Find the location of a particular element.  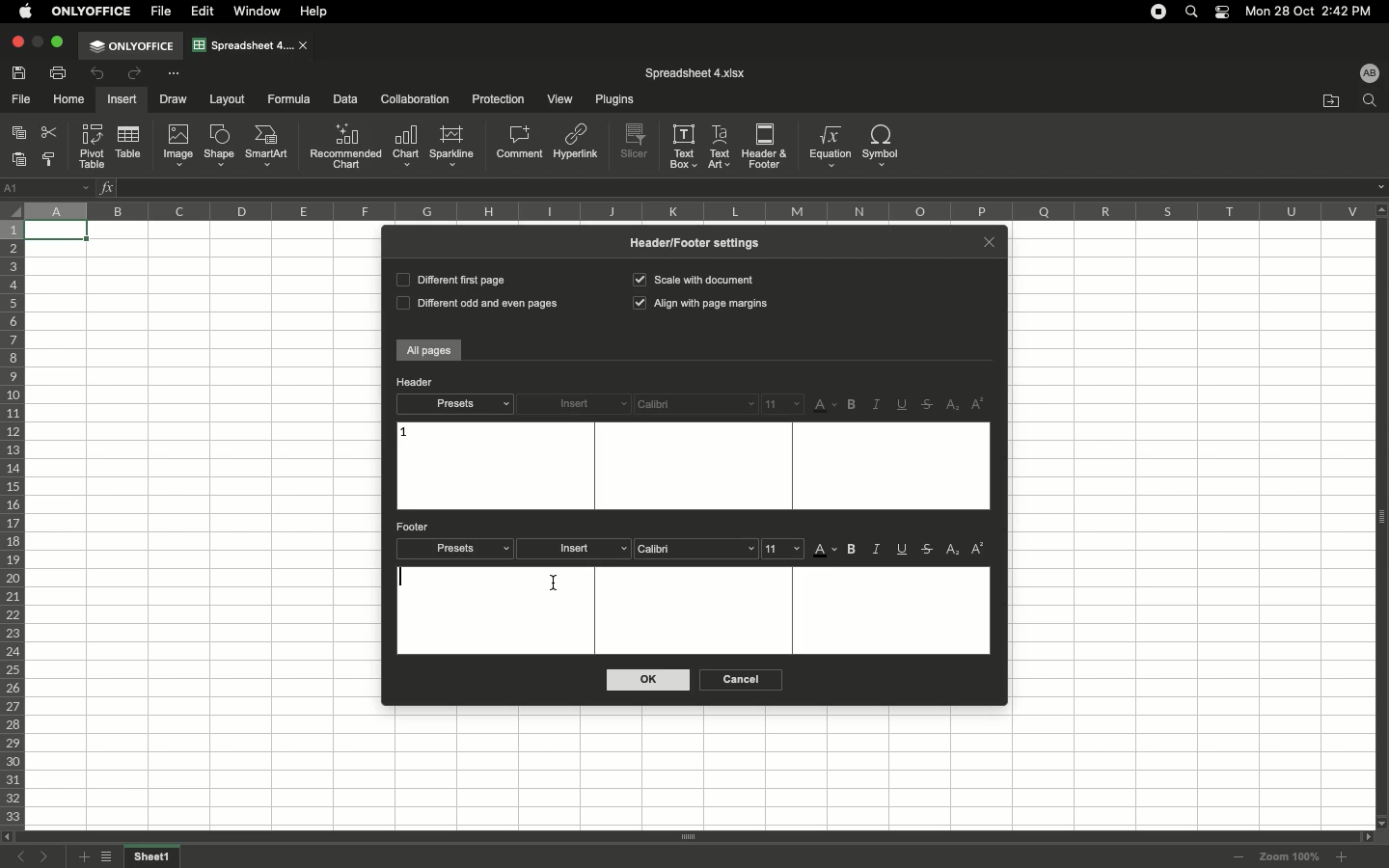

Font color is located at coordinates (826, 552).